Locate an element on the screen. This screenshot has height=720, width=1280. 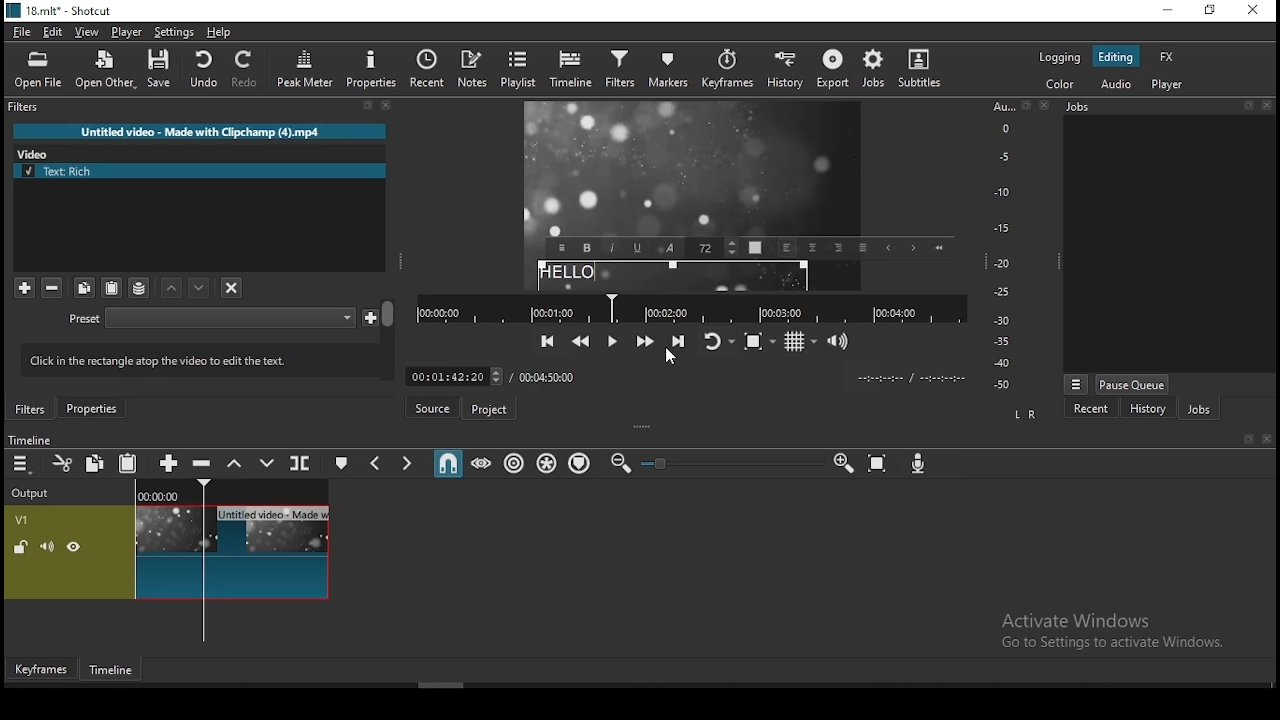
save filter sets is located at coordinates (139, 287).